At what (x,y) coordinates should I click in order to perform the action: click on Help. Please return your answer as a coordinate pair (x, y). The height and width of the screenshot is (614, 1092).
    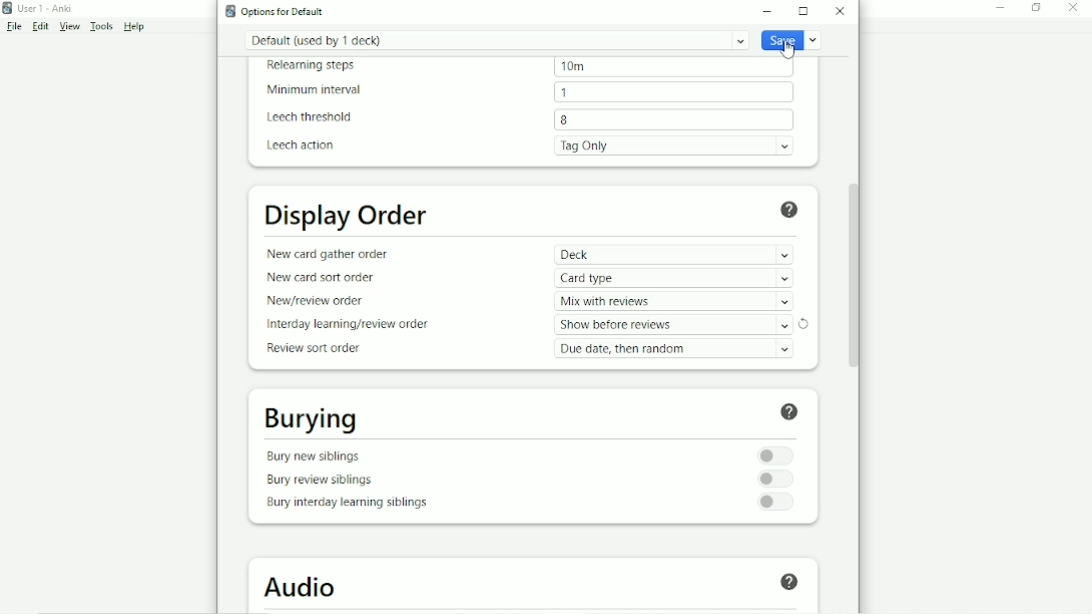
    Looking at the image, I should click on (787, 583).